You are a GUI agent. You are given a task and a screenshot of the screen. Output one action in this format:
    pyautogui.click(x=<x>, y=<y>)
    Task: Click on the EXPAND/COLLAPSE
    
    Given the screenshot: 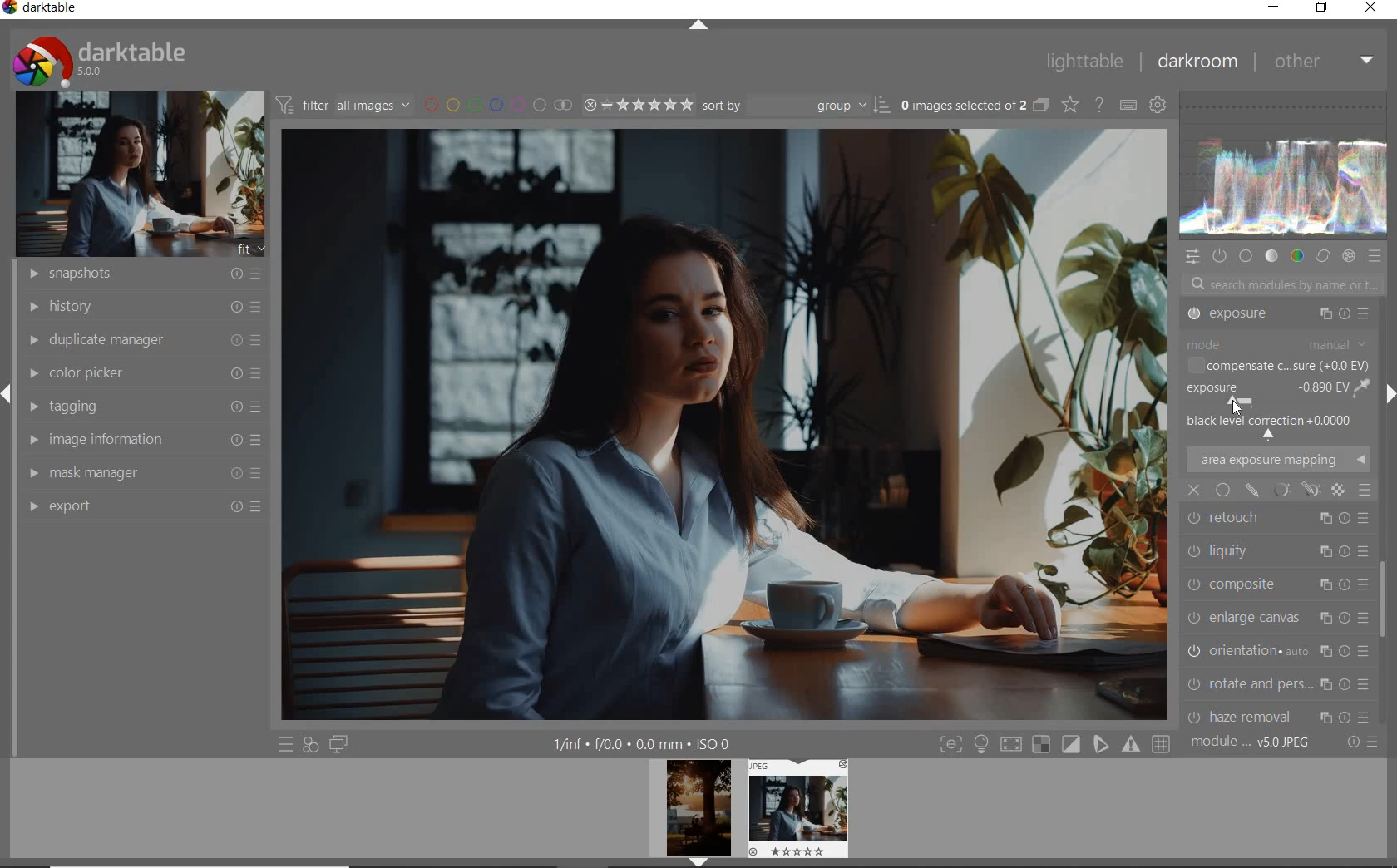 What is the action you would take?
    pyautogui.click(x=1389, y=394)
    